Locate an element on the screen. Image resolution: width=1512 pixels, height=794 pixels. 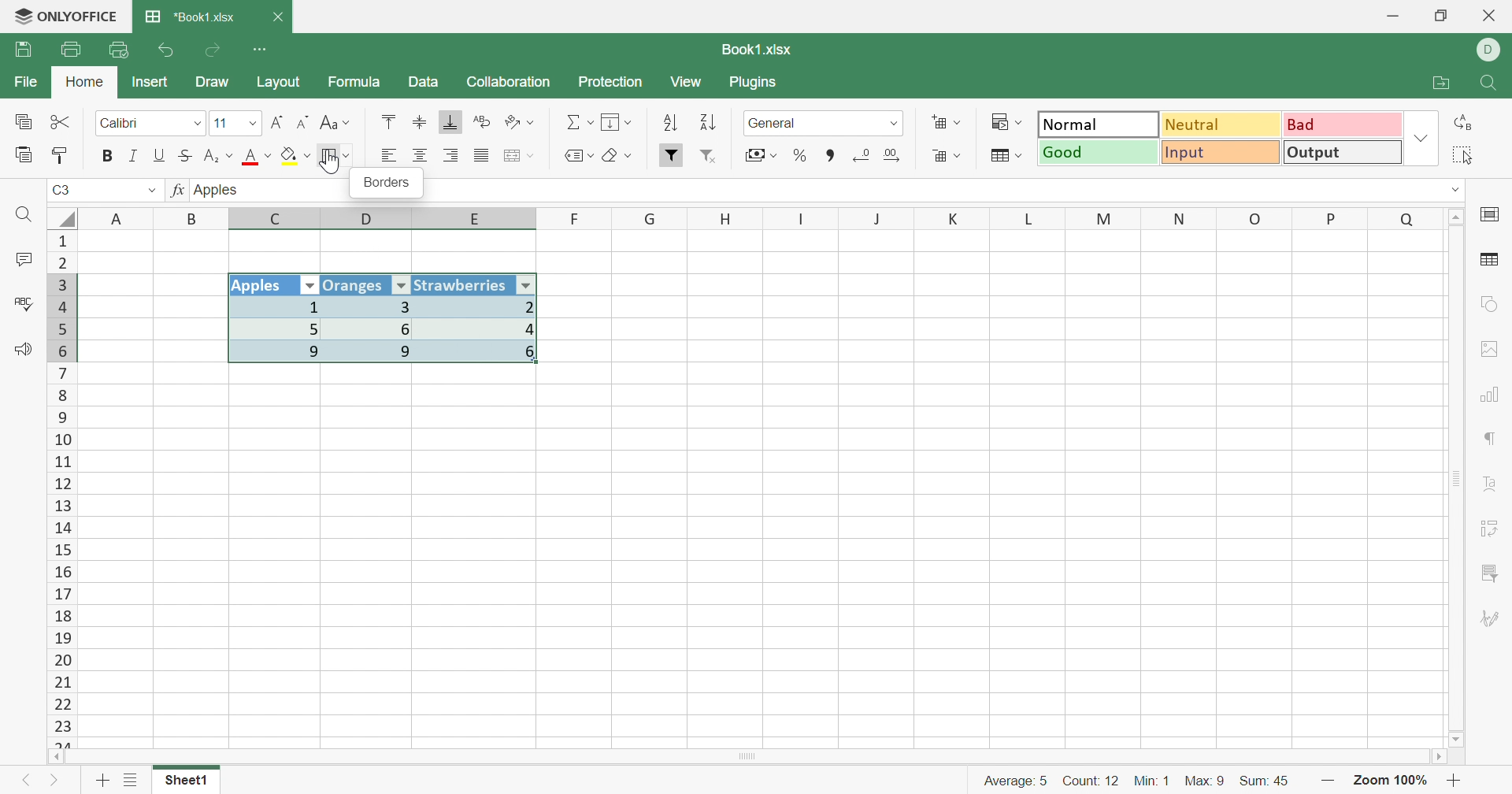
Drop down is located at coordinates (148, 191).